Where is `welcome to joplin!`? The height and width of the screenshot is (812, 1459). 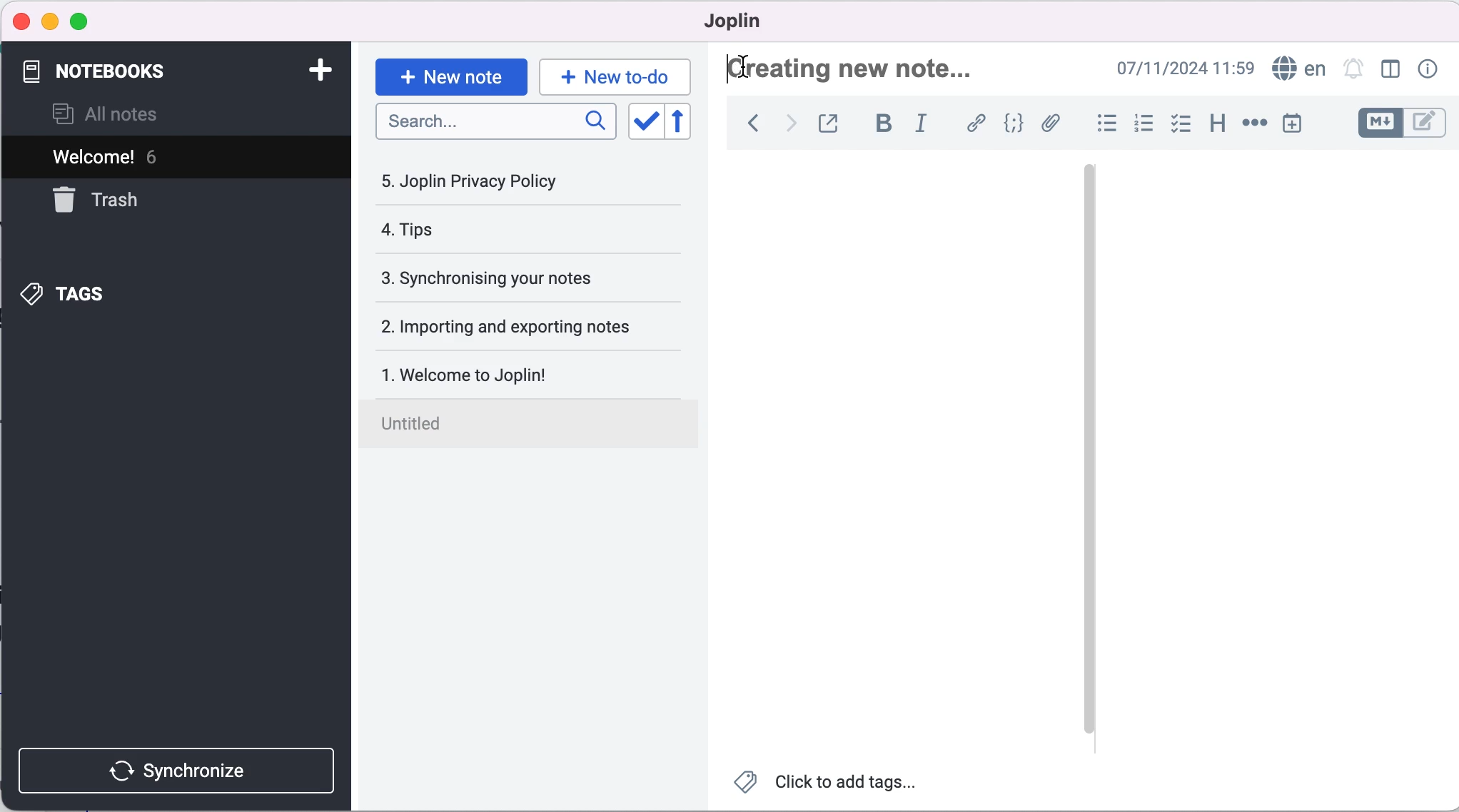
welcome to joplin! is located at coordinates (519, 374).